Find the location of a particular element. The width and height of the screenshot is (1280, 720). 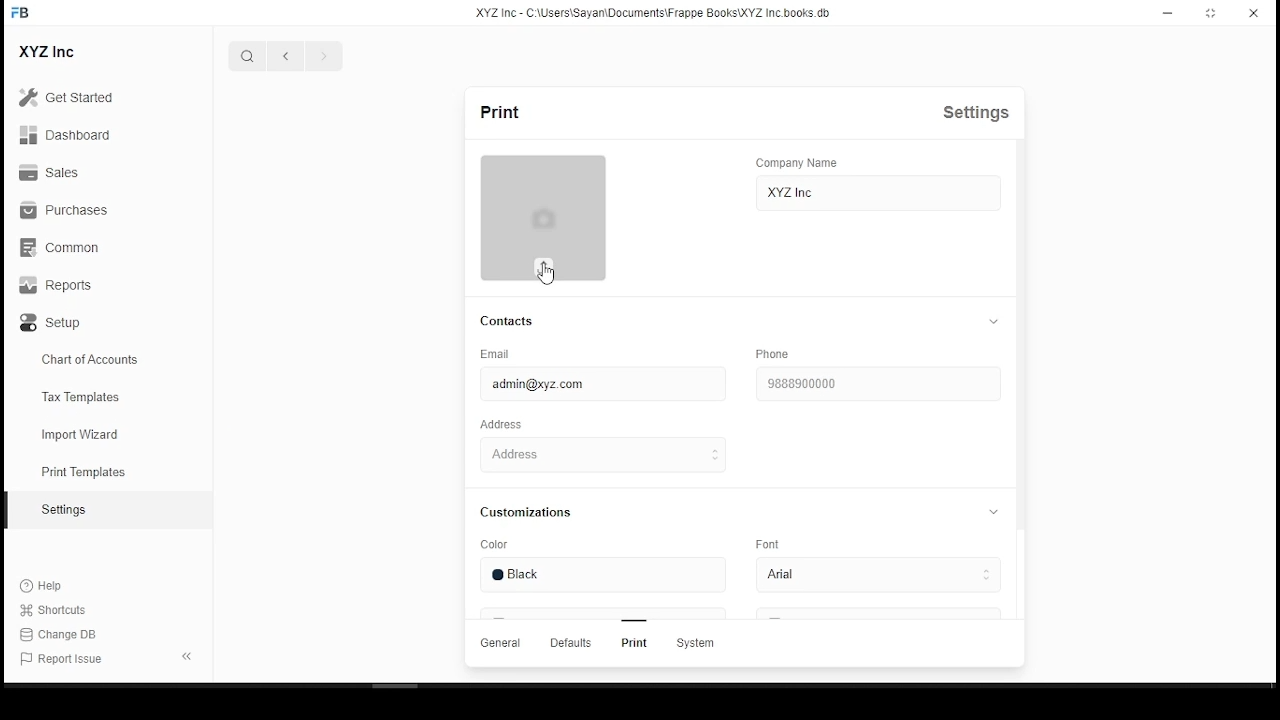

mouse pointer is located at coordinates (547, 273).